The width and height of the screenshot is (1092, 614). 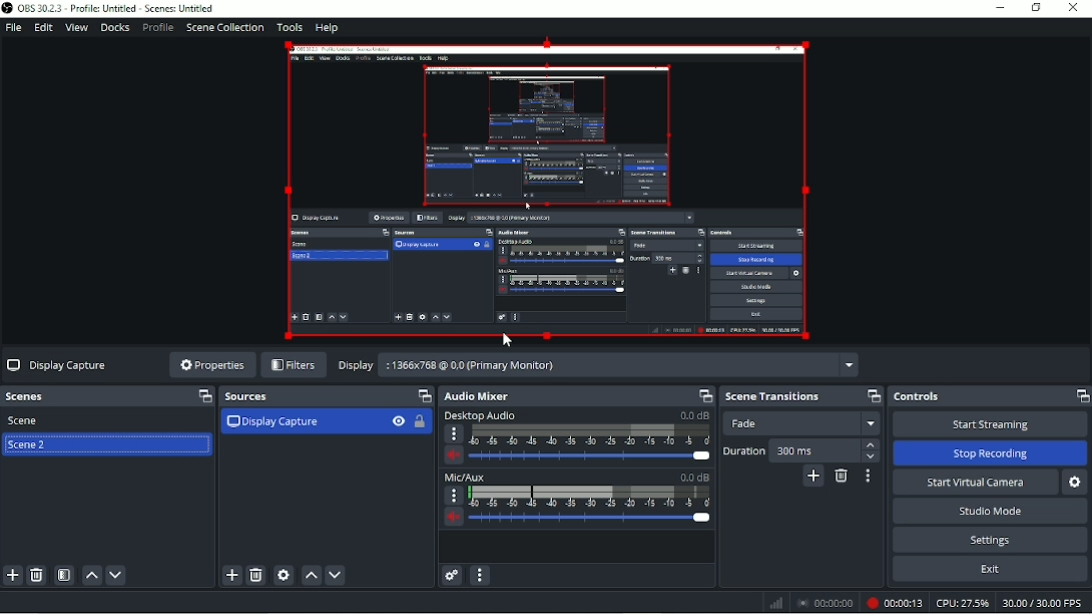 What do you see at coordinates (1074, 9) in the screenshot?
I see `Close` at bounding box center [1074, 9].